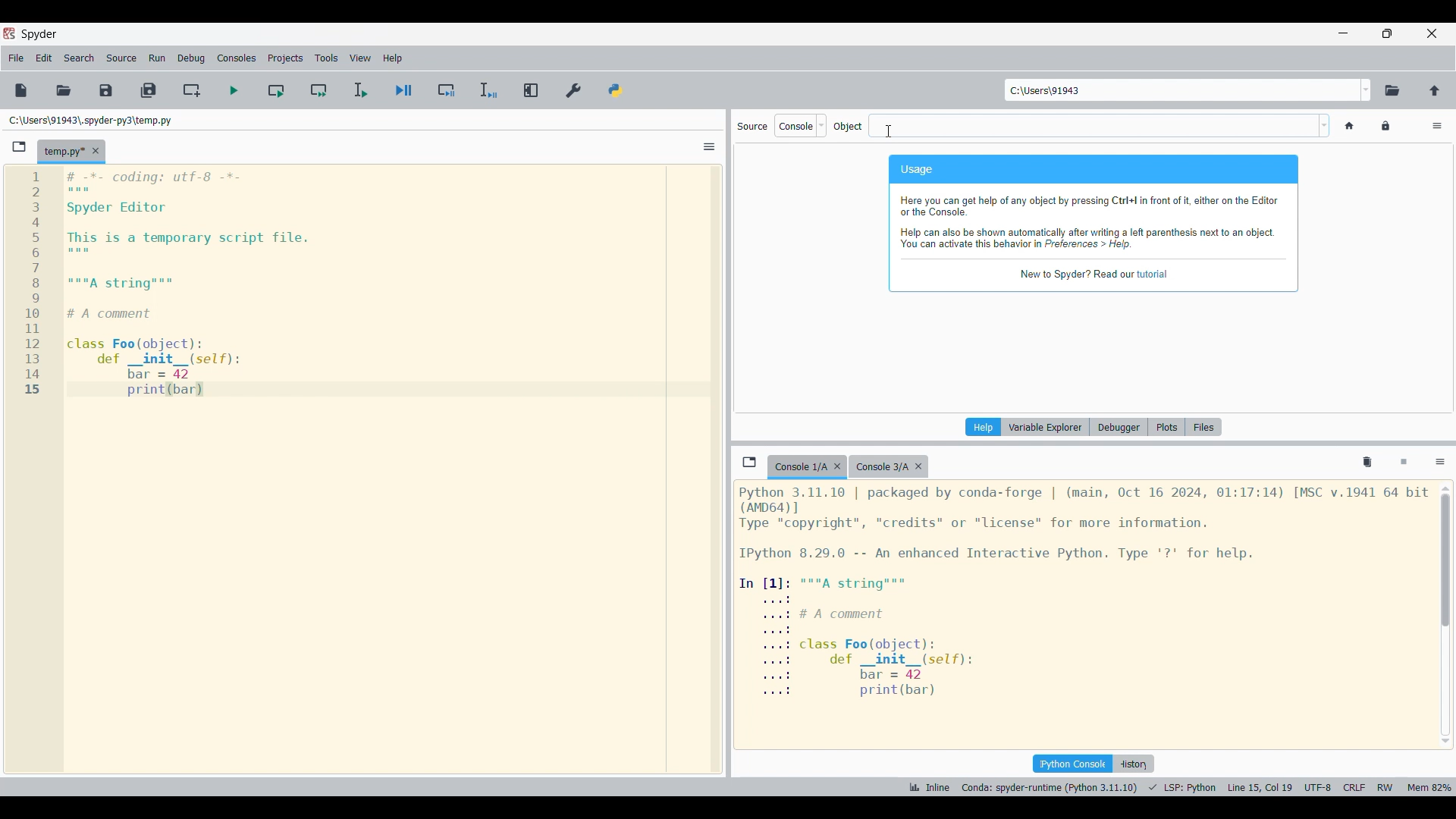 This screenshot has width=1456, height=819. What do you see at coordinates (848, 127) in the screenshot?
I see `Indiactes object` at bounding box center [848, 127].